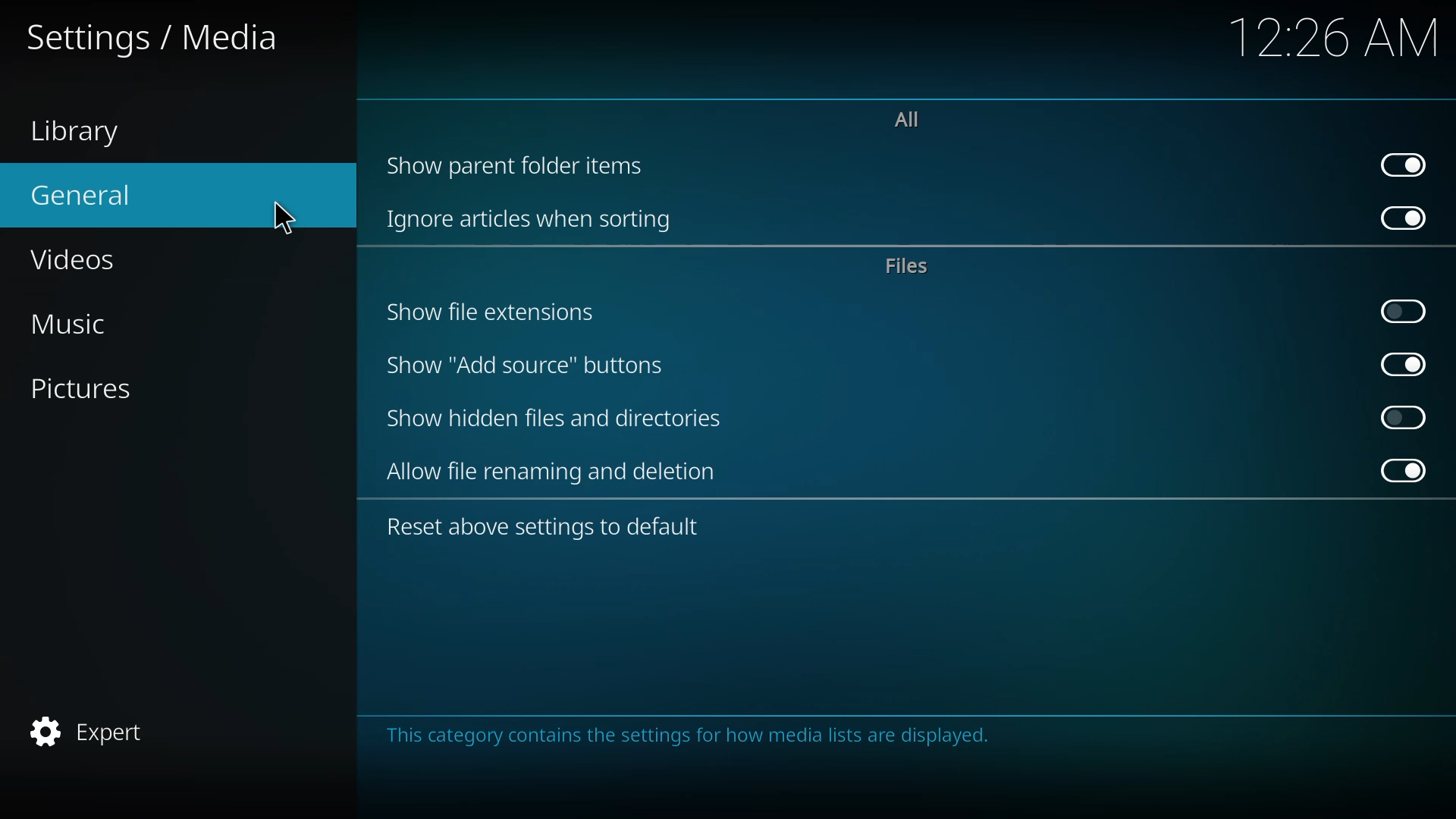 The image size is (1456, 819). I want to click on expert, so click(92, 728).